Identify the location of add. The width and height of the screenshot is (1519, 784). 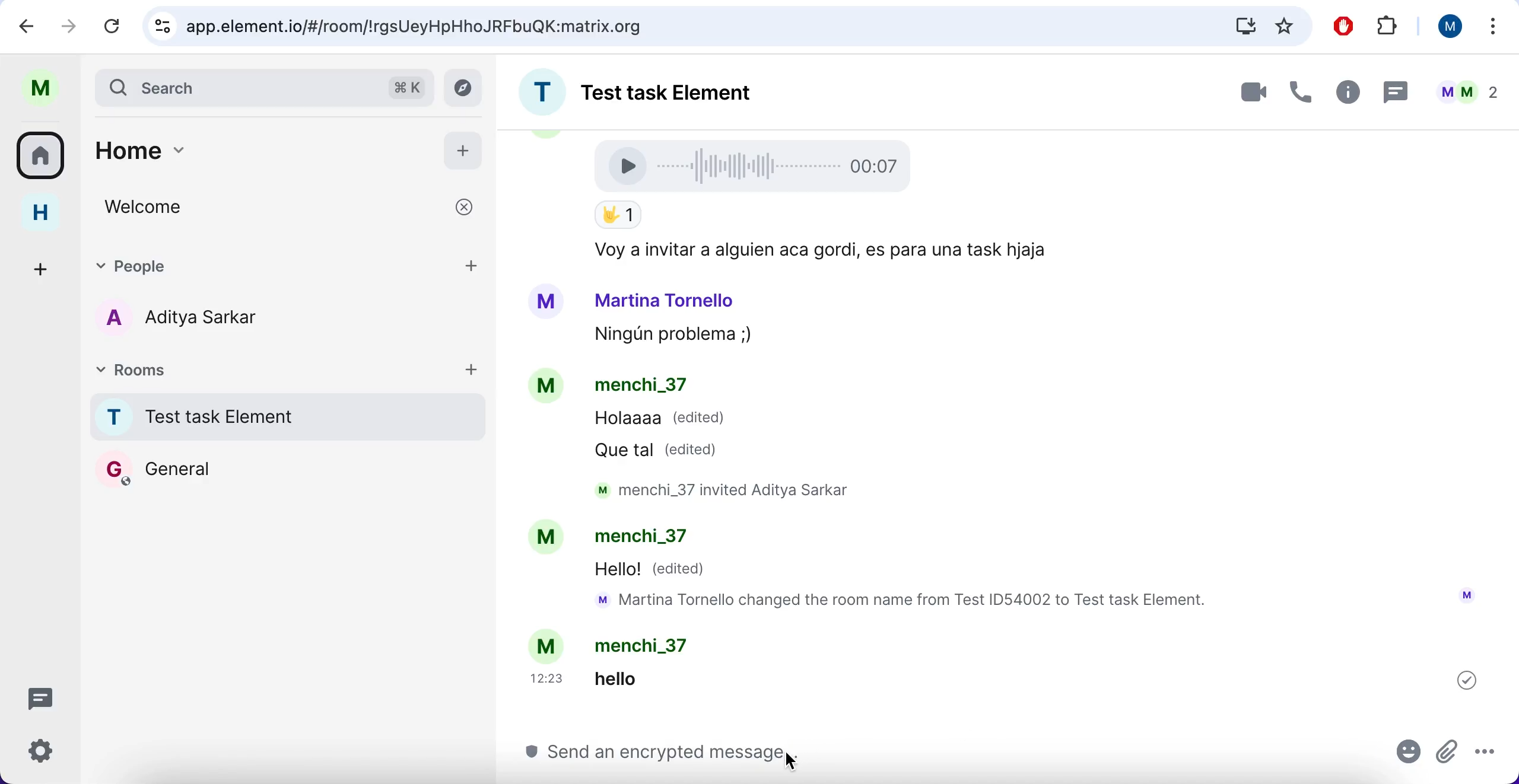
(463, 148).